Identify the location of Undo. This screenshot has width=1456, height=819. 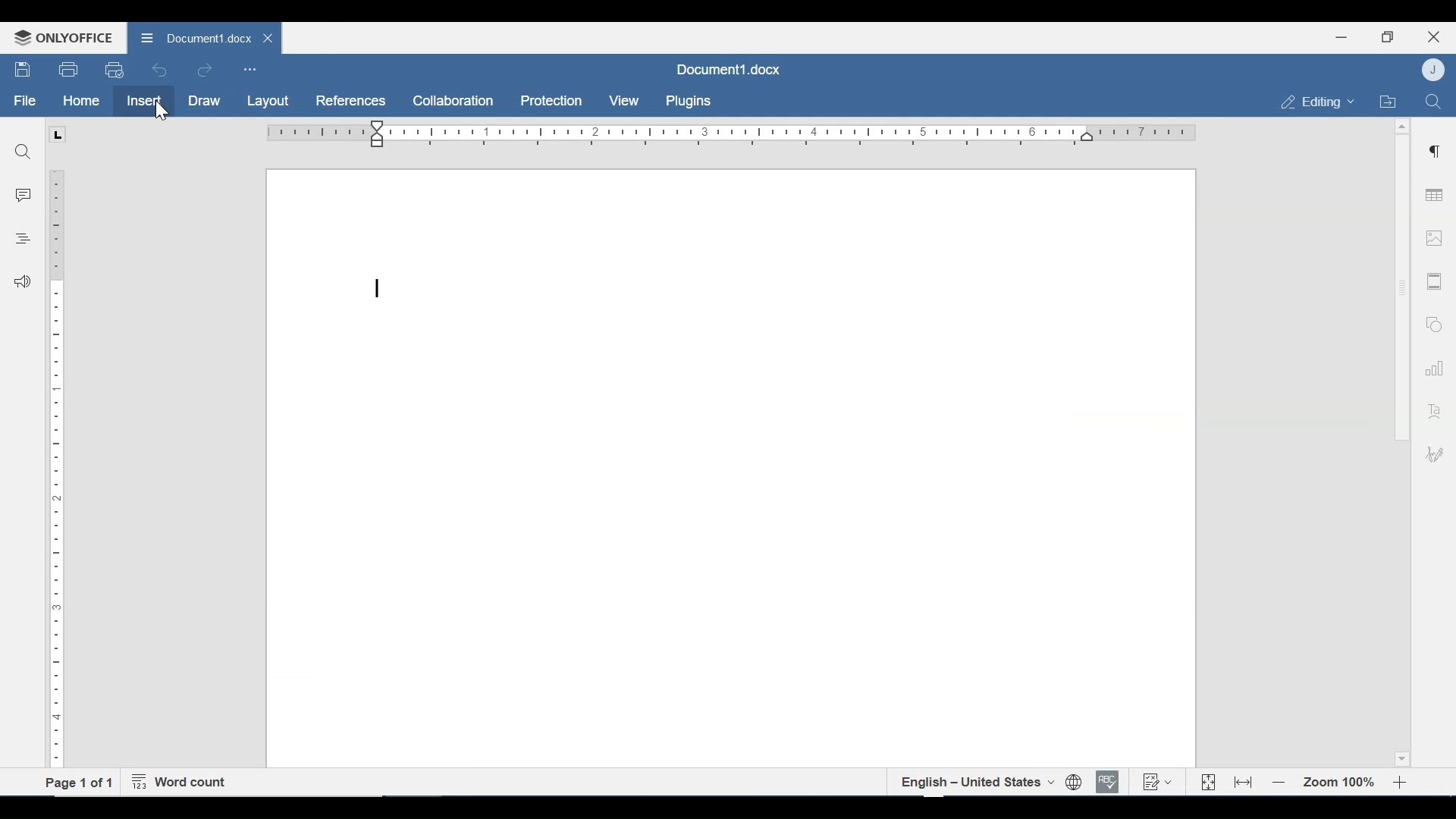
(160, 70).